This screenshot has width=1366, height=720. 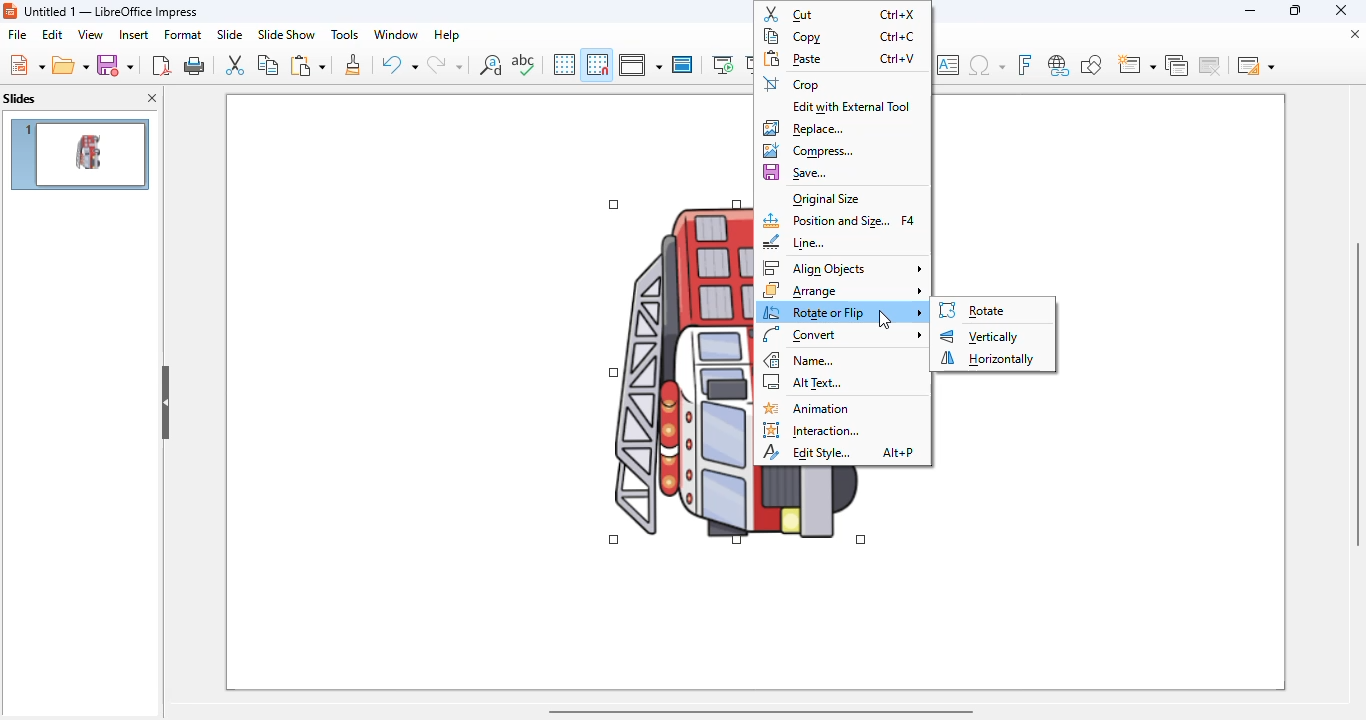 What do you see at coordinates (183, 34) in the screenshot?
I see `format` at bounding box center [183, 34].